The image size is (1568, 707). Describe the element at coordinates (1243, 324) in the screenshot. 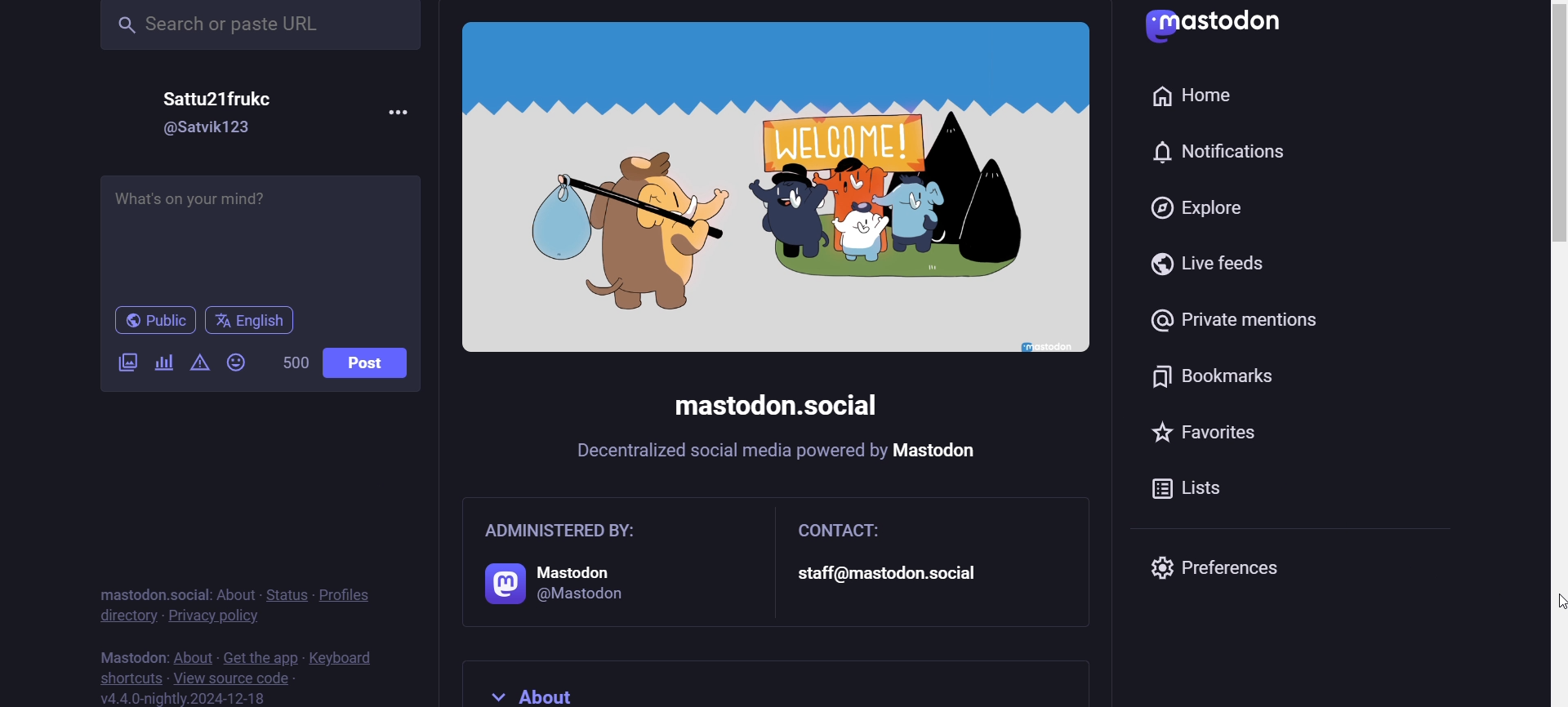

I see `private mention` at that location.